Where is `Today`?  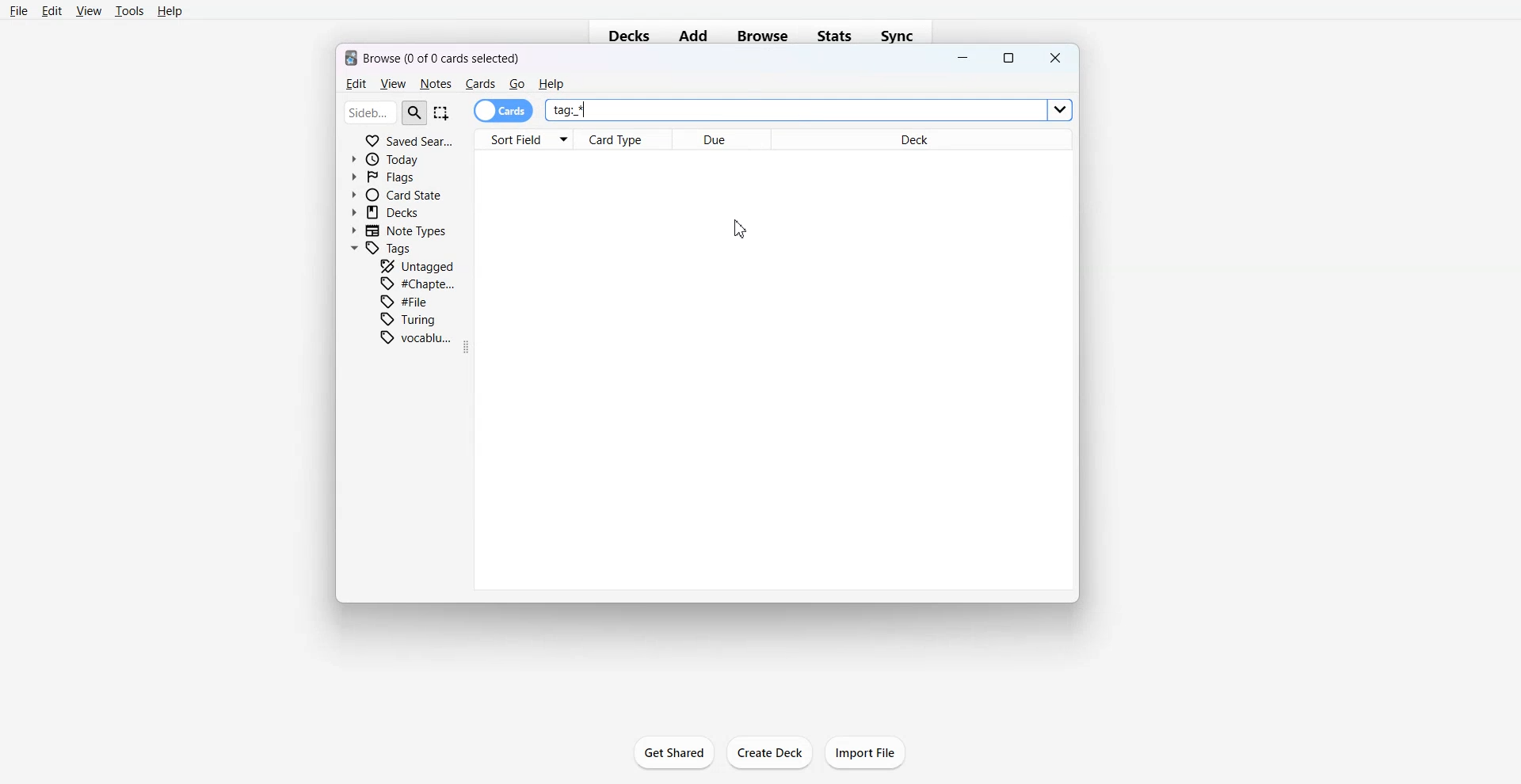
Today is located at coordinates (389, 159).